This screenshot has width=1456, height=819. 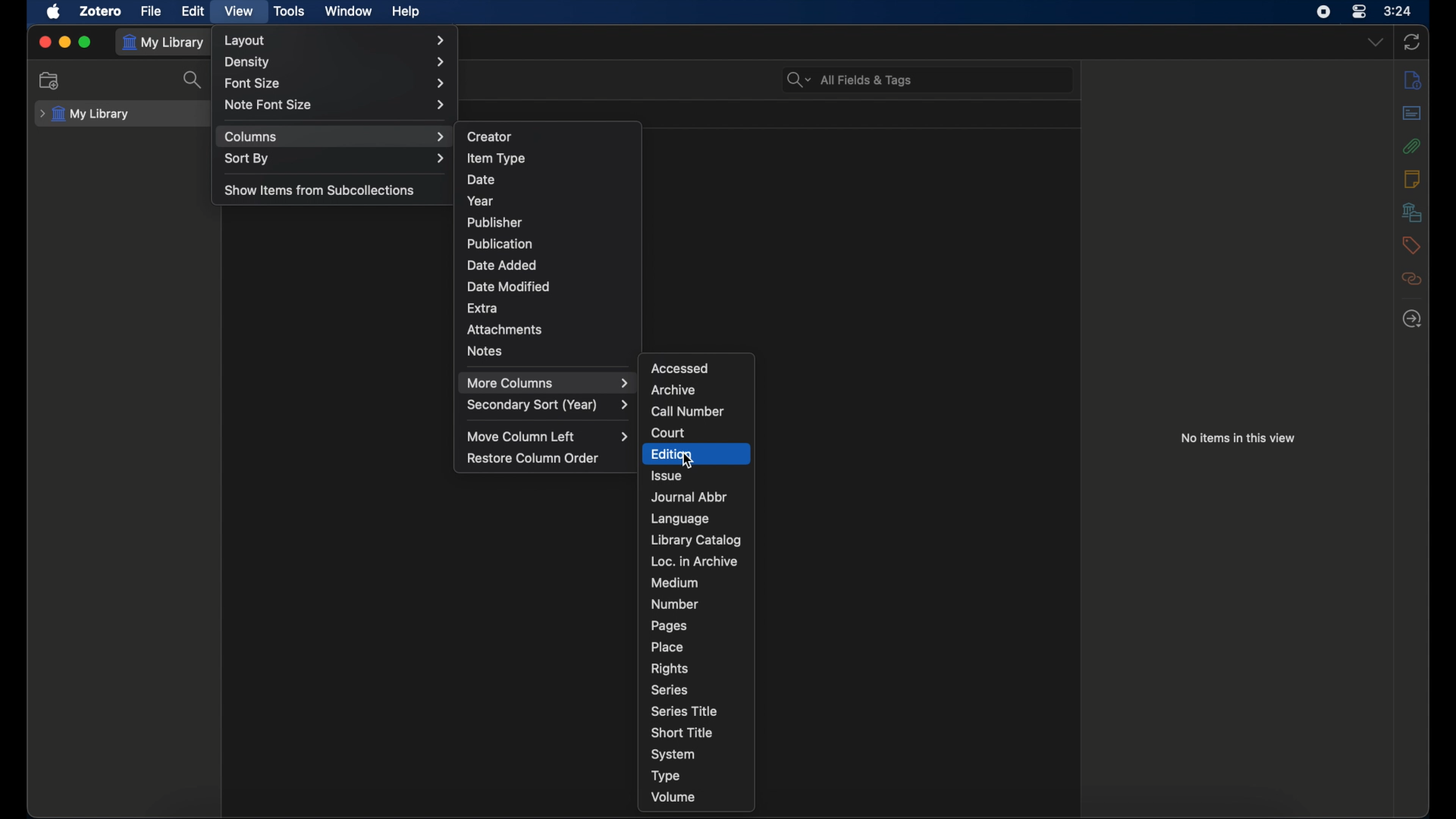 What do you see at coordinates (86, 42) in the screenshot?
I see `maximize` at bounding box center [86, 42].